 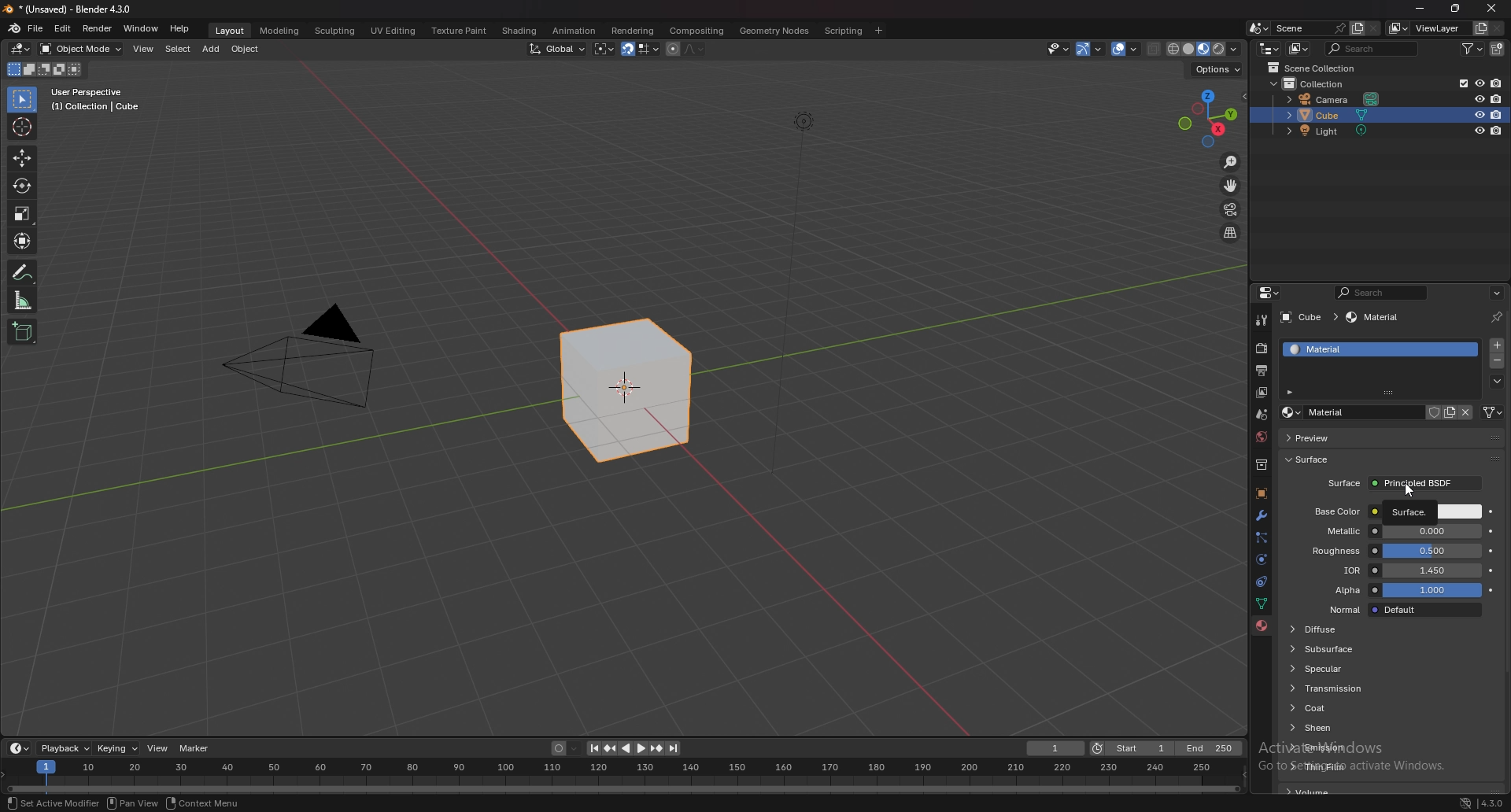 I want to click on * (Unsaved) - Blender 4.3.0, so click(x=79, y=9).